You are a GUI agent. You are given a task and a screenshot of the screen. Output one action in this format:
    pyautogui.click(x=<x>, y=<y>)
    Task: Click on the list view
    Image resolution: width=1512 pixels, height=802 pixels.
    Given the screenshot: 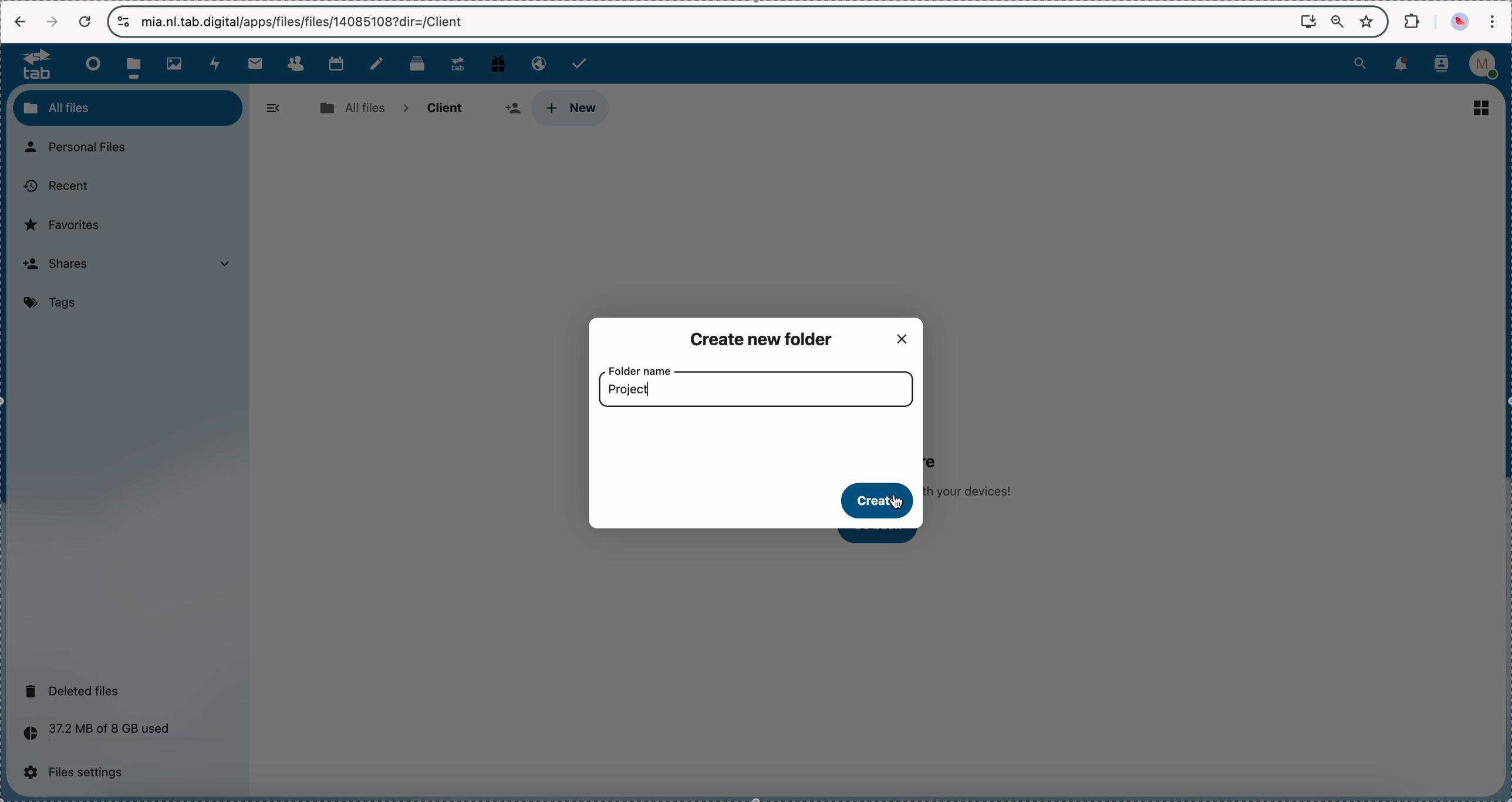 What is the action you would take?
    pyautogui.click(x=1486, y=106)
    